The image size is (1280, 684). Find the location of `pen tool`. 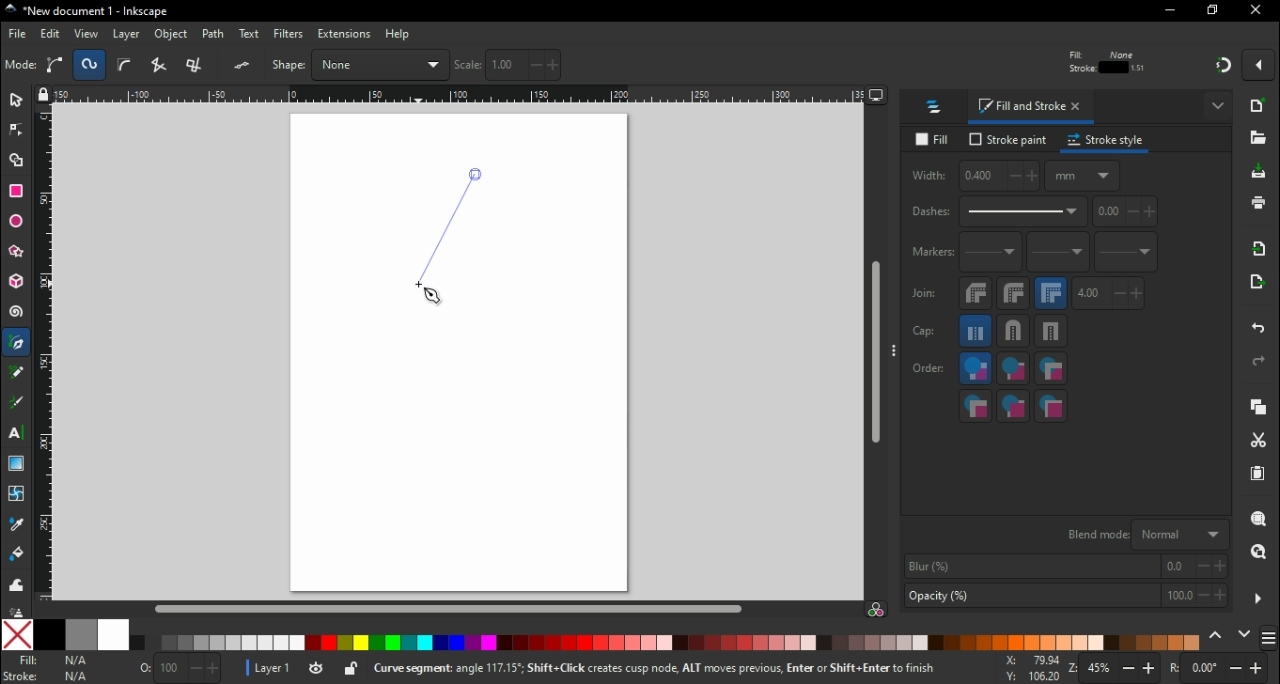

pen tool is located at coordinates (18, 343).